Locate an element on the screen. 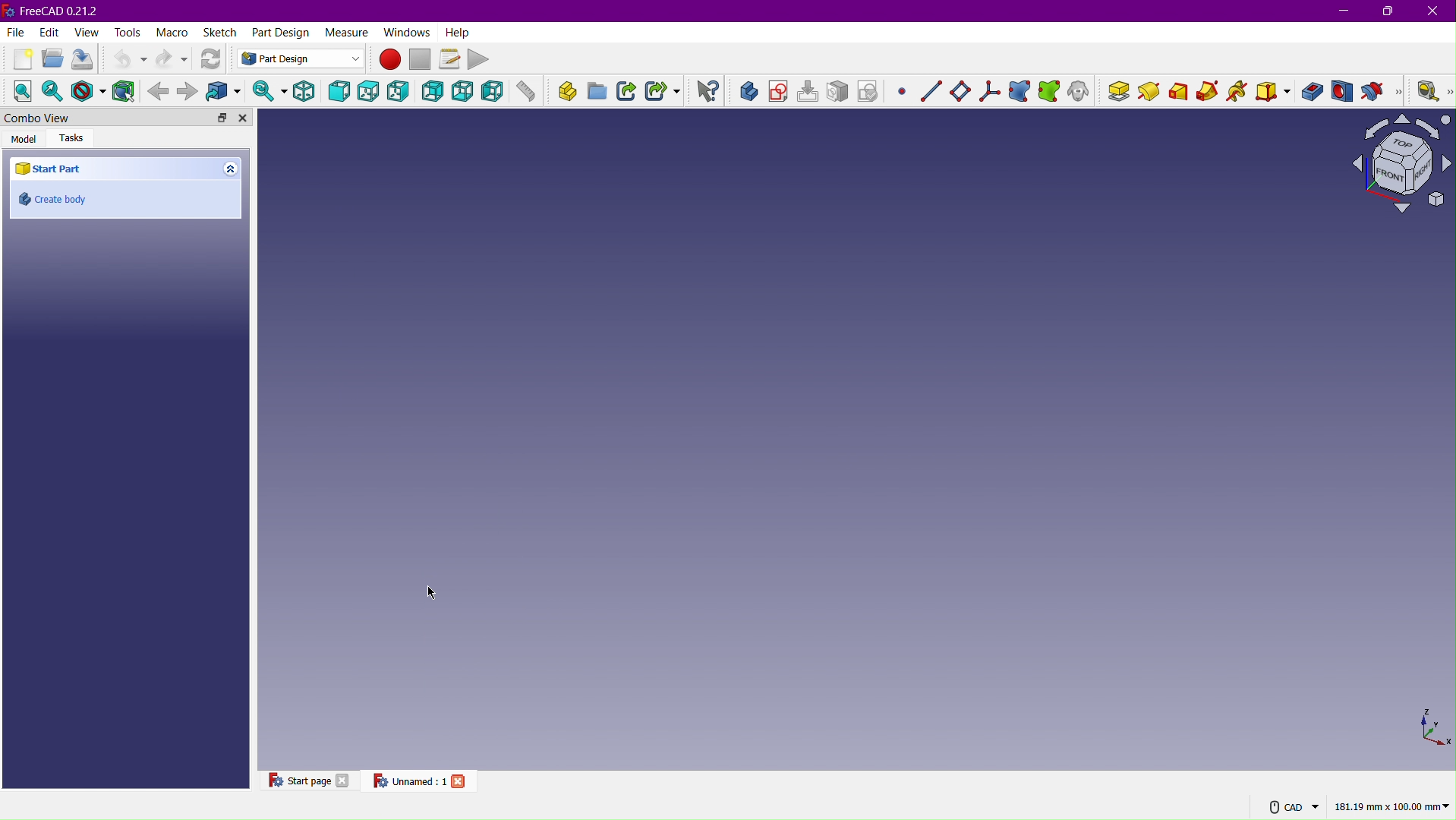 The height and width of the screenshot is (820, 1456). Make Sub-Link is located at coordinates (663, 94).